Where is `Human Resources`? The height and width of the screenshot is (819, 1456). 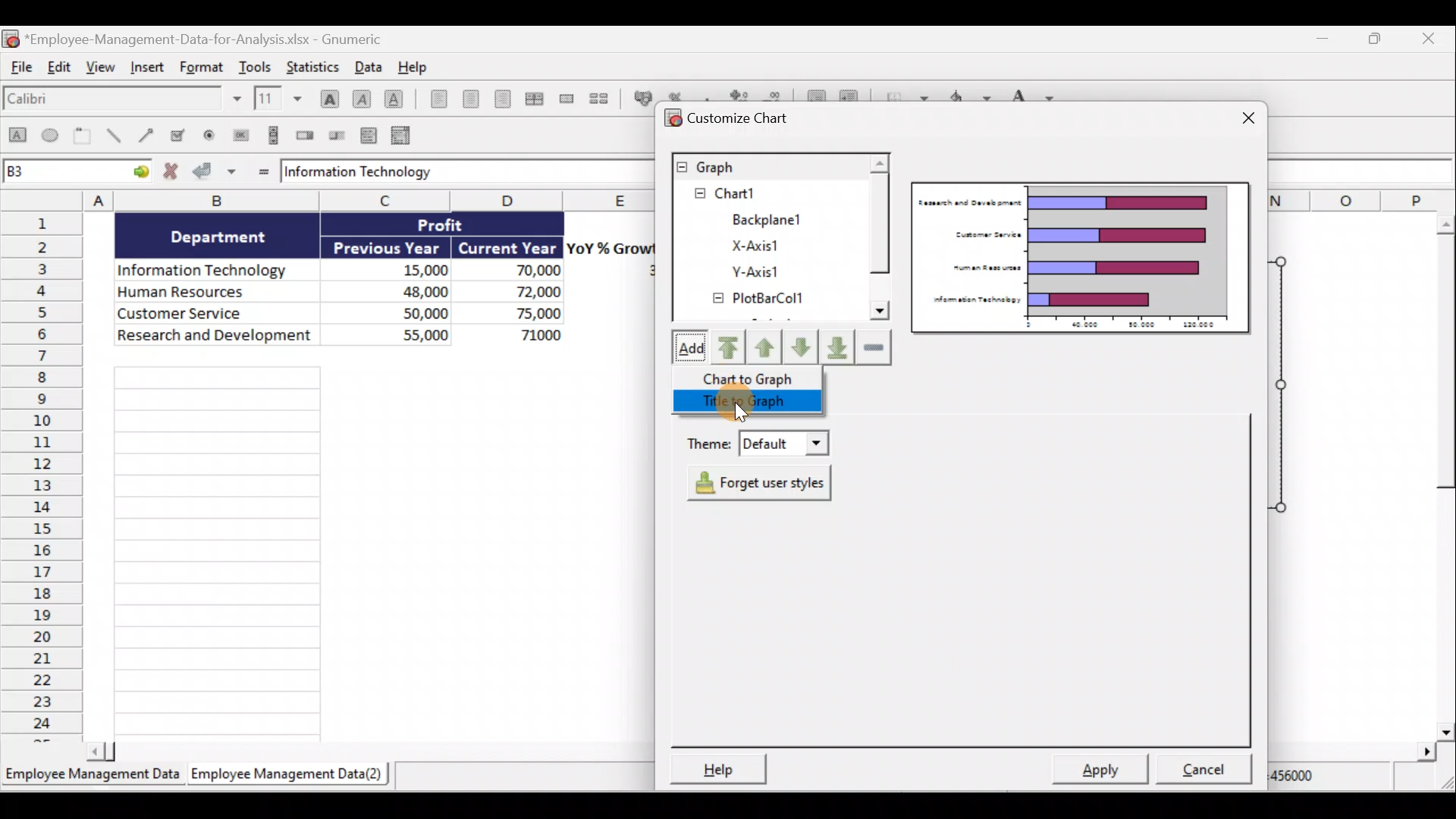 Human Resources is located at coordinates (211, 293).